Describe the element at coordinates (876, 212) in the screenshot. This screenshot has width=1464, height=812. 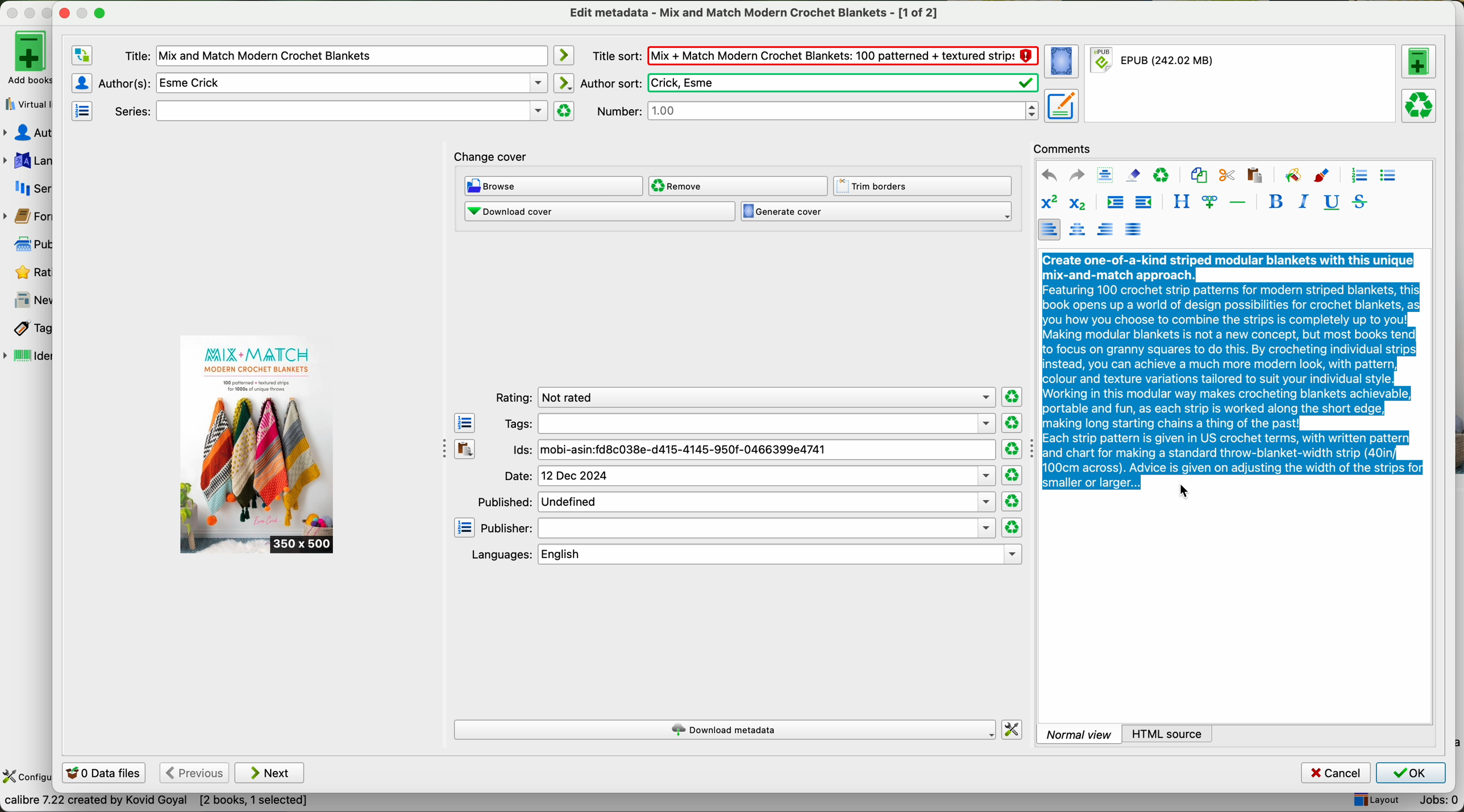
I see `generate cover` at that location.